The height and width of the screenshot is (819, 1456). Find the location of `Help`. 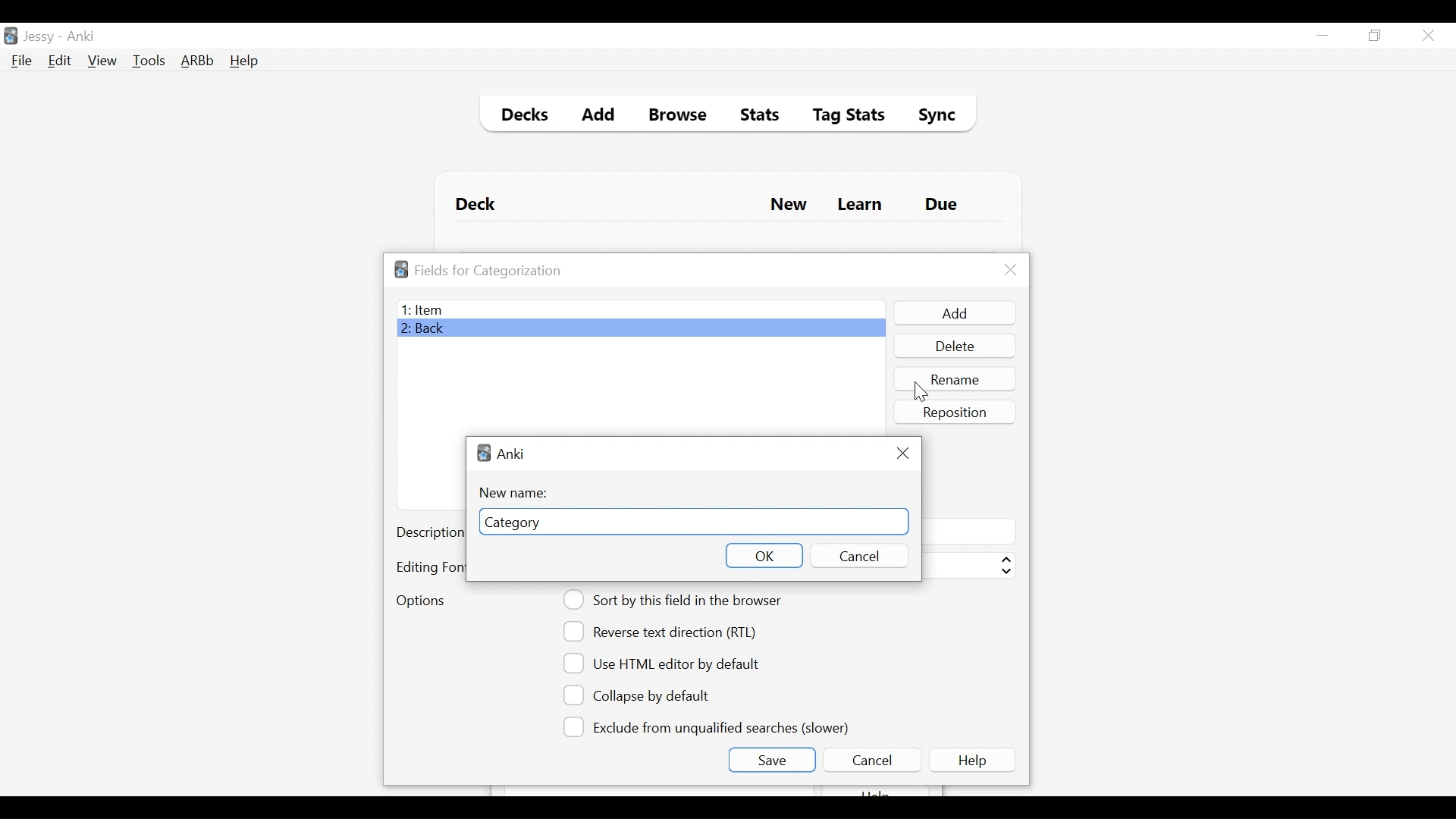

Help is located at coordinates (975, 760).